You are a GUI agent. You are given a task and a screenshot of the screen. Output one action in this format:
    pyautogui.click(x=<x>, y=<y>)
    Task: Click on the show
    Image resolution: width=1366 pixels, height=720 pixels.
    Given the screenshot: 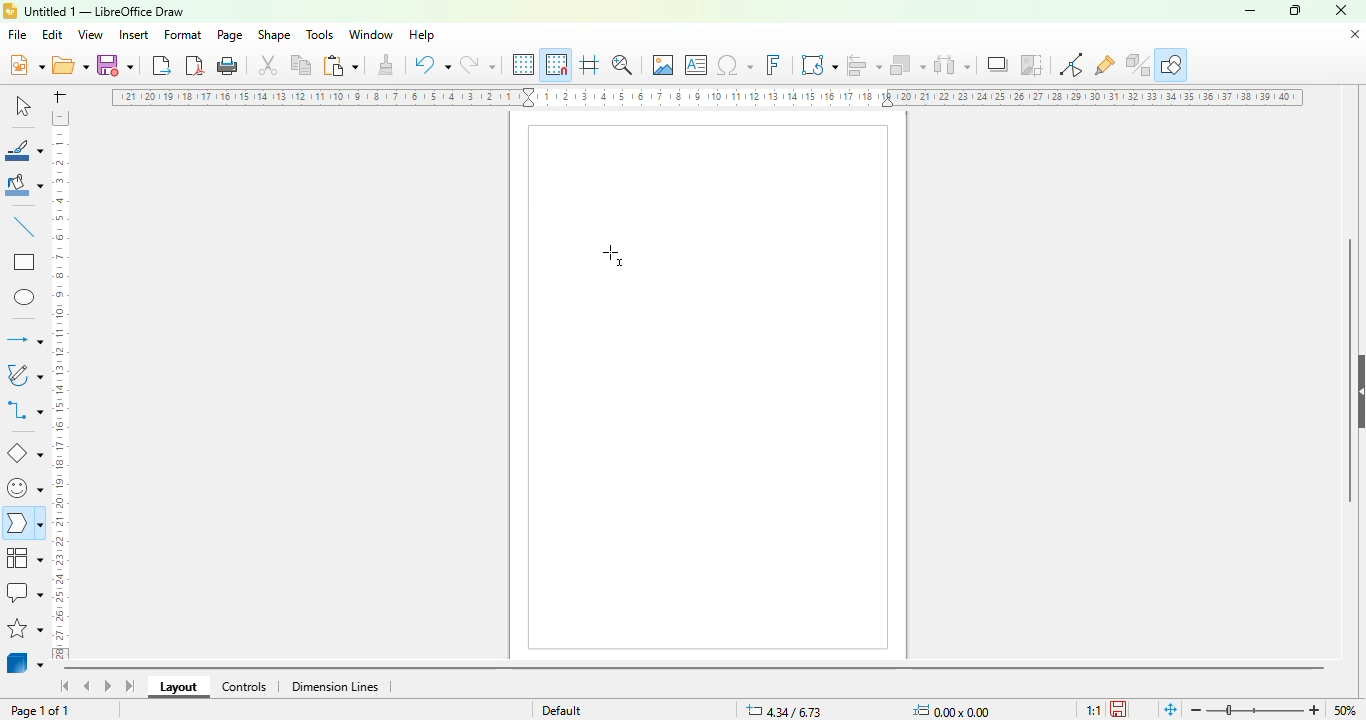 What is the action you would take?
    pyautogui.click(x=1357, y=392)
    